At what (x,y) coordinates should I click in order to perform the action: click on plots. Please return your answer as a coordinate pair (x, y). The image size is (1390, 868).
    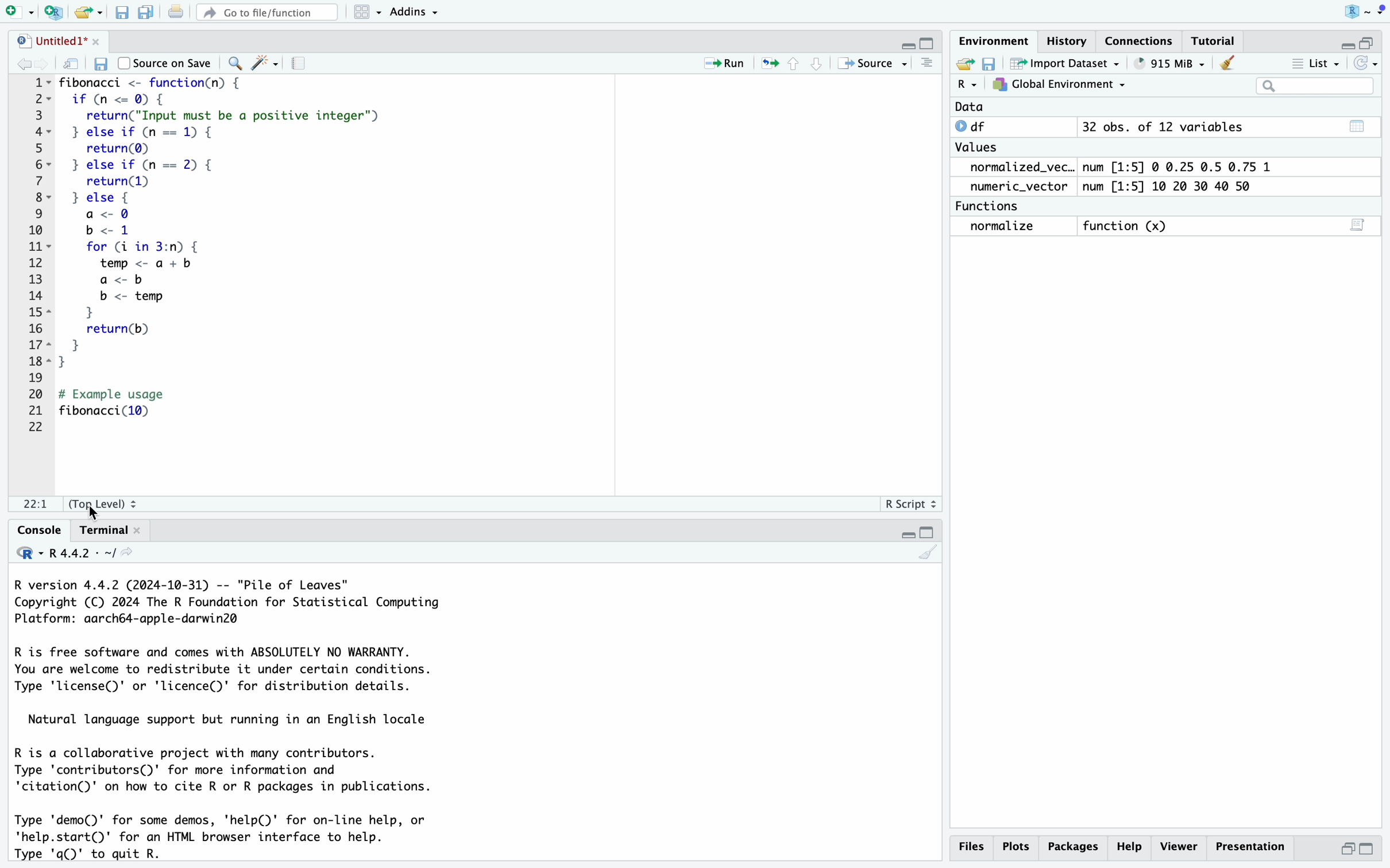
    Looking at the image, I should click on (1016, 847).